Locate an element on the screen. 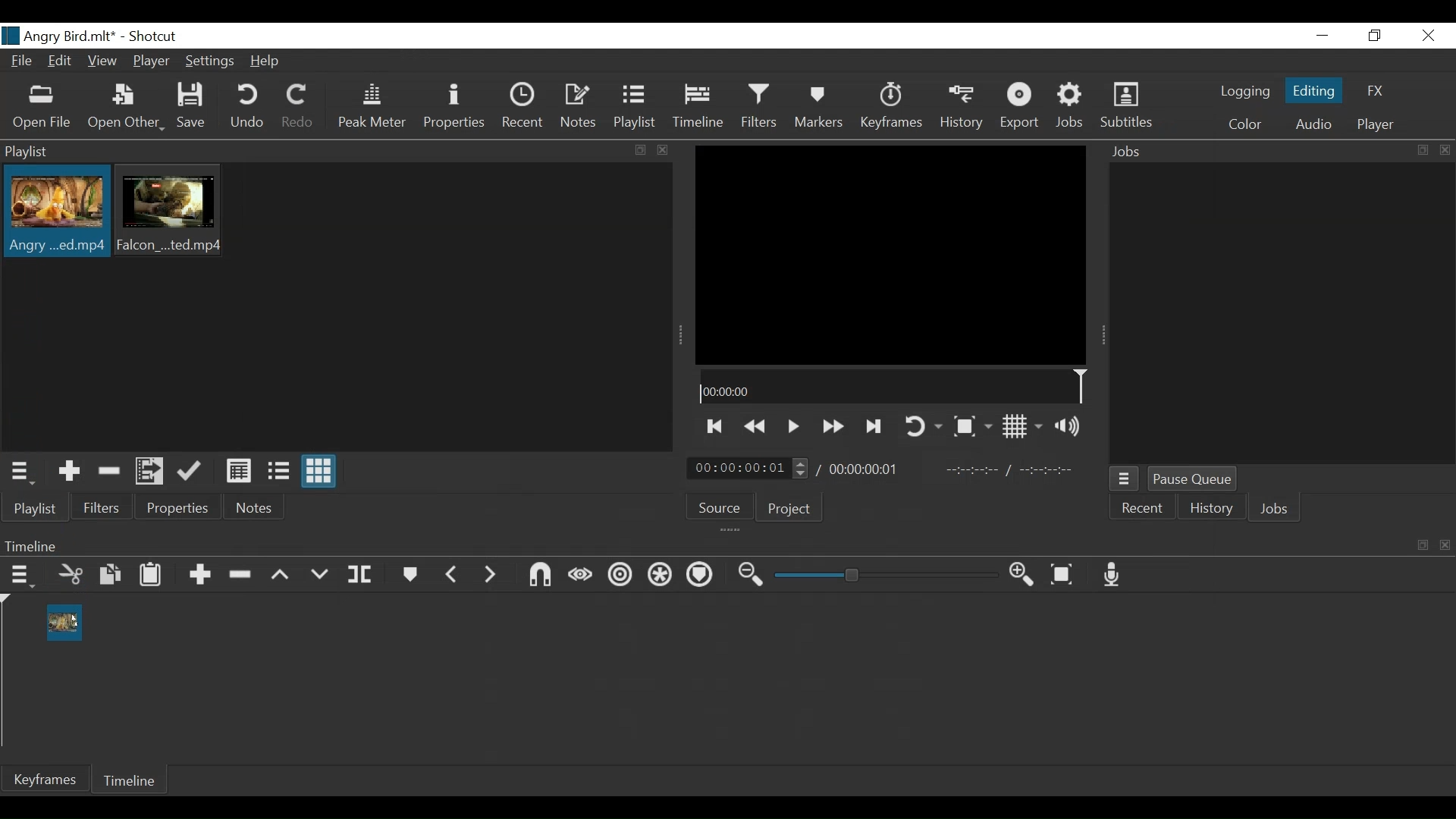 The width and height of the screenshot is (1456, 819). Clip is located at coordinates (55, 213).